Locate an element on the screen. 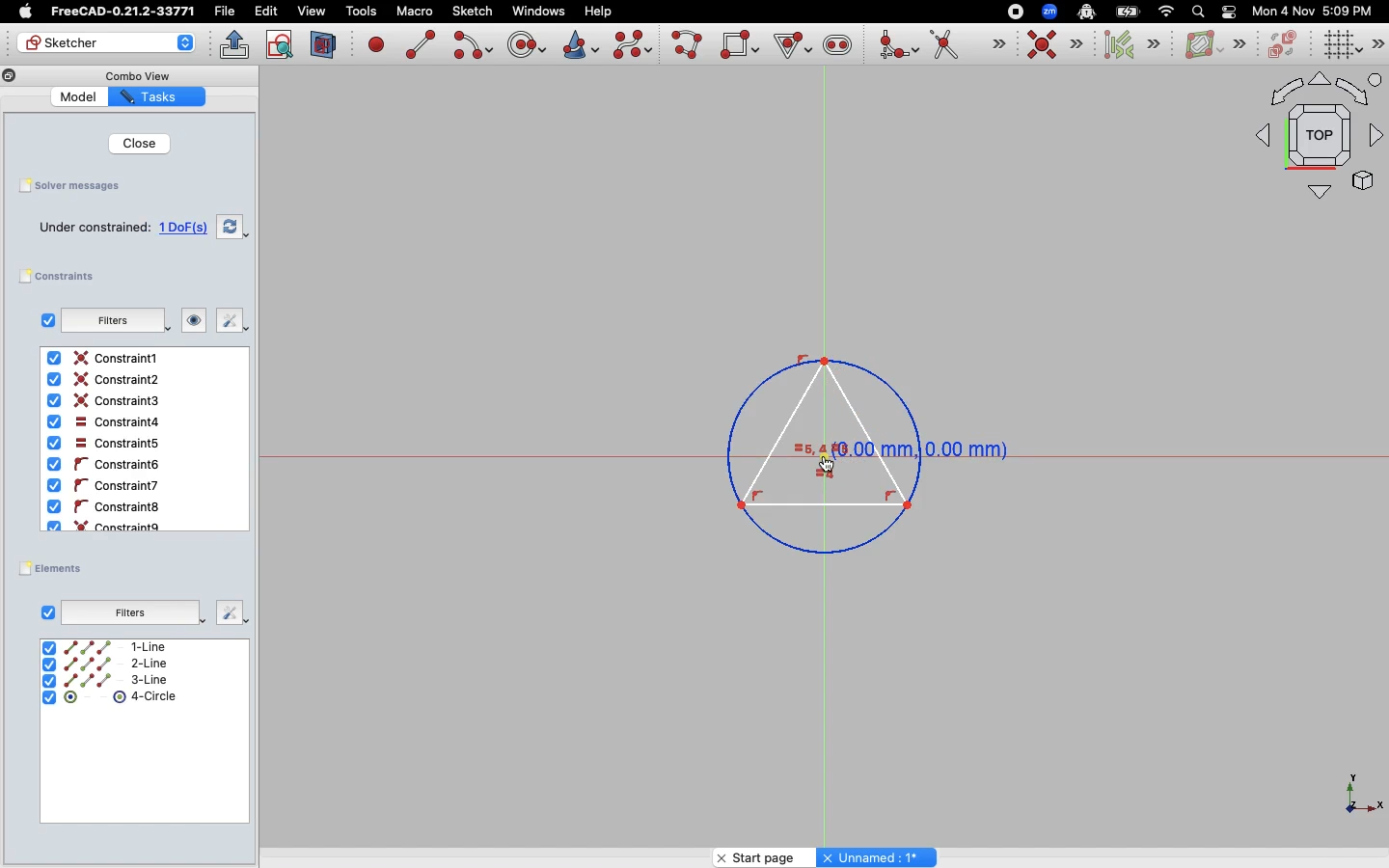  File is located at coordinates (227, 12).